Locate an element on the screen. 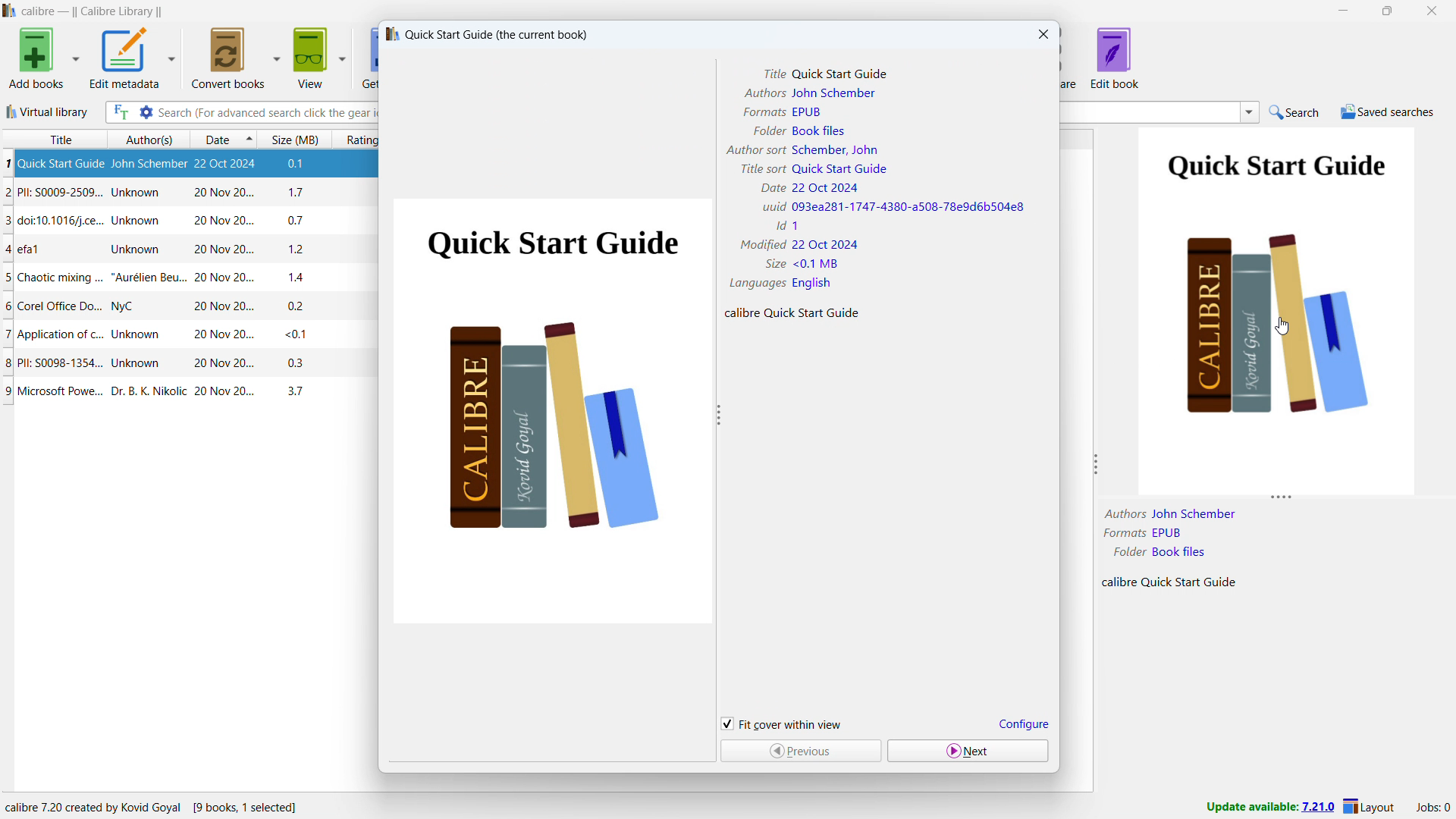  English is located at coordinates (813, 284).